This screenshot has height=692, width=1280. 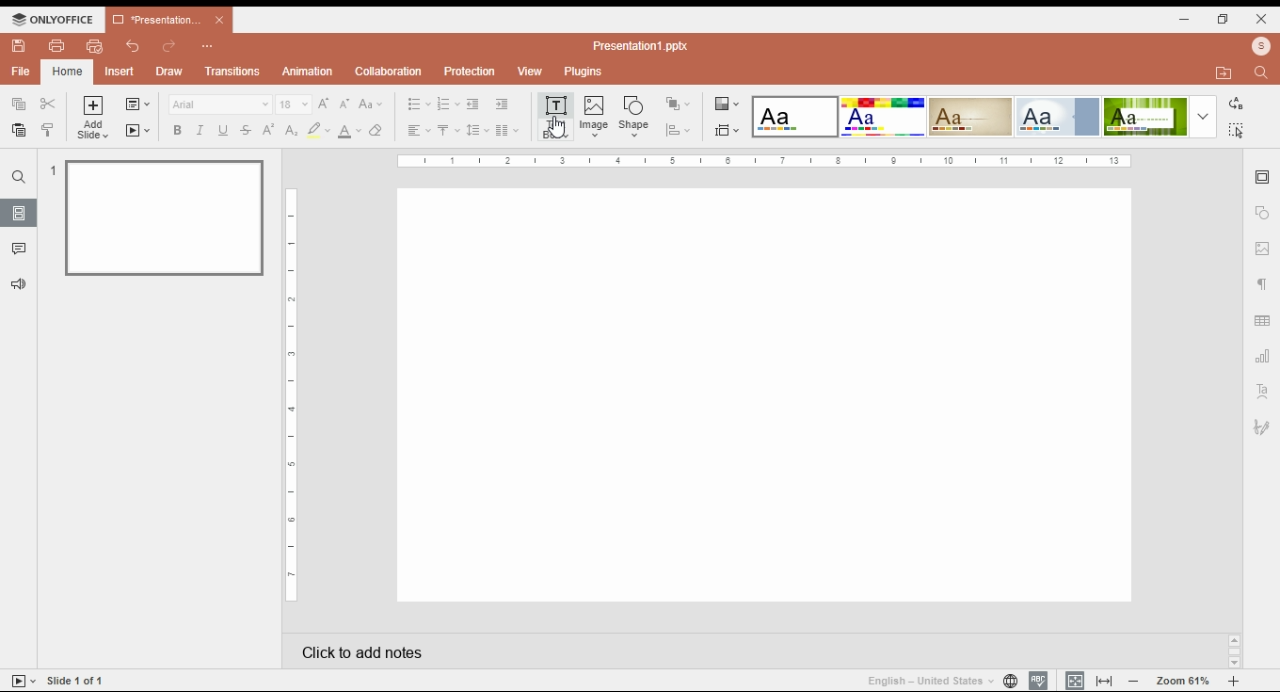 I want to click on language, so click(x=928, y=681).